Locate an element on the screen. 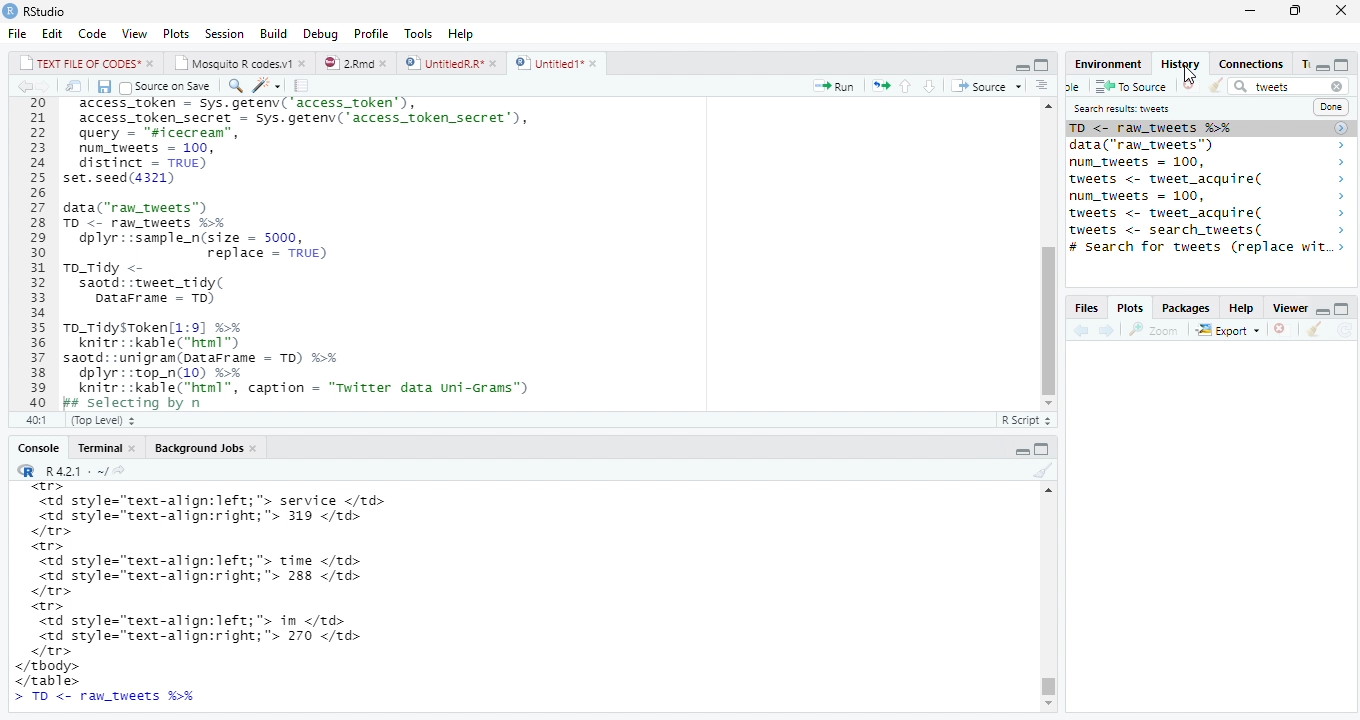  20 access_token - Sys.getenv('access_token’),
21 access_token_secret - sys.getenv( access_token secret’),
22 query - "sicecrean”,

23 num_tweets = 100,

24 distinct = TRUE)

25 set.seed(4321)

26

27 data("raw_tweets")

28 TD <- raw tweets H¥

29 dplyr::sample_n(size = 5000,

30 replace = TRUE)

31 To_Tidy <-

32 saotd::tweet_tidy(

33 Datarrame - TD)

34

35 To_TidysToken[1:9] %%

36 knitr::kable("html™)

37 saotd: :unigram(pataFrame = TD) %>%

38 dplyr::top_n(10) %%

39 knitr::kable("html”, caption = "Twitter data uni-Grams")
40 Bs selecting bv n is located at coordinates (303, 266).